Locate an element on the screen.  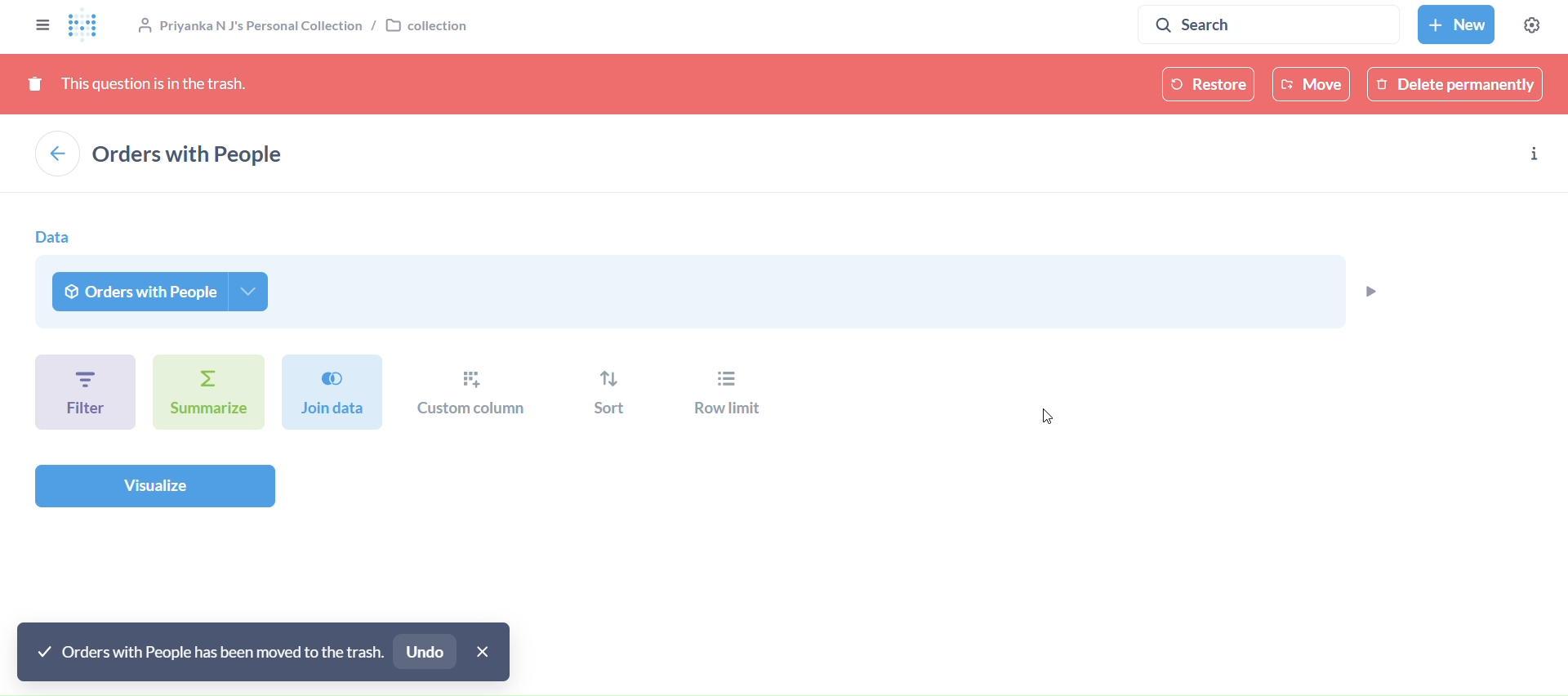
summarize is located at coordinates (211, 394).